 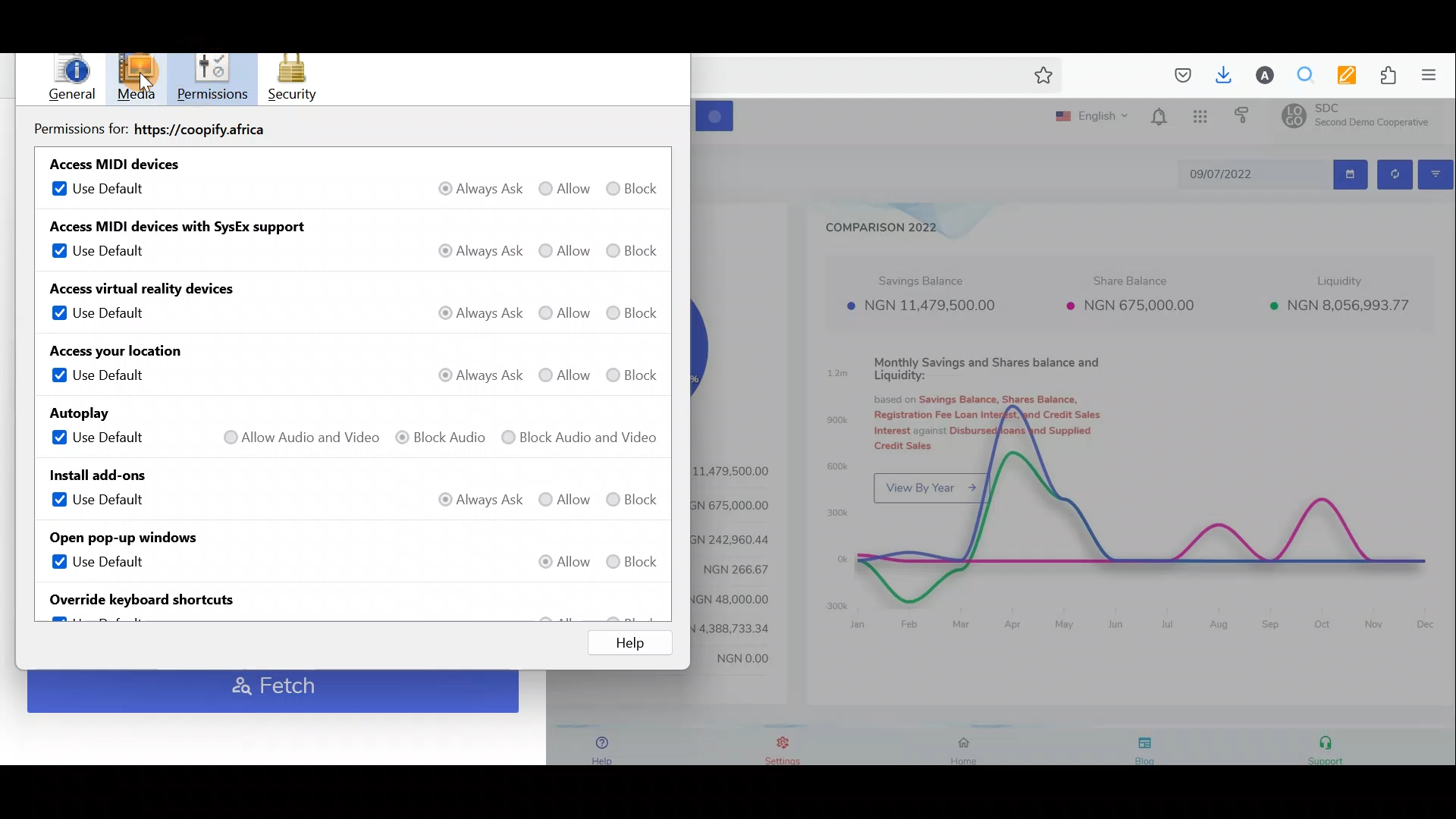 I want to click on Save to pocket, so click(x=1177, y=76).